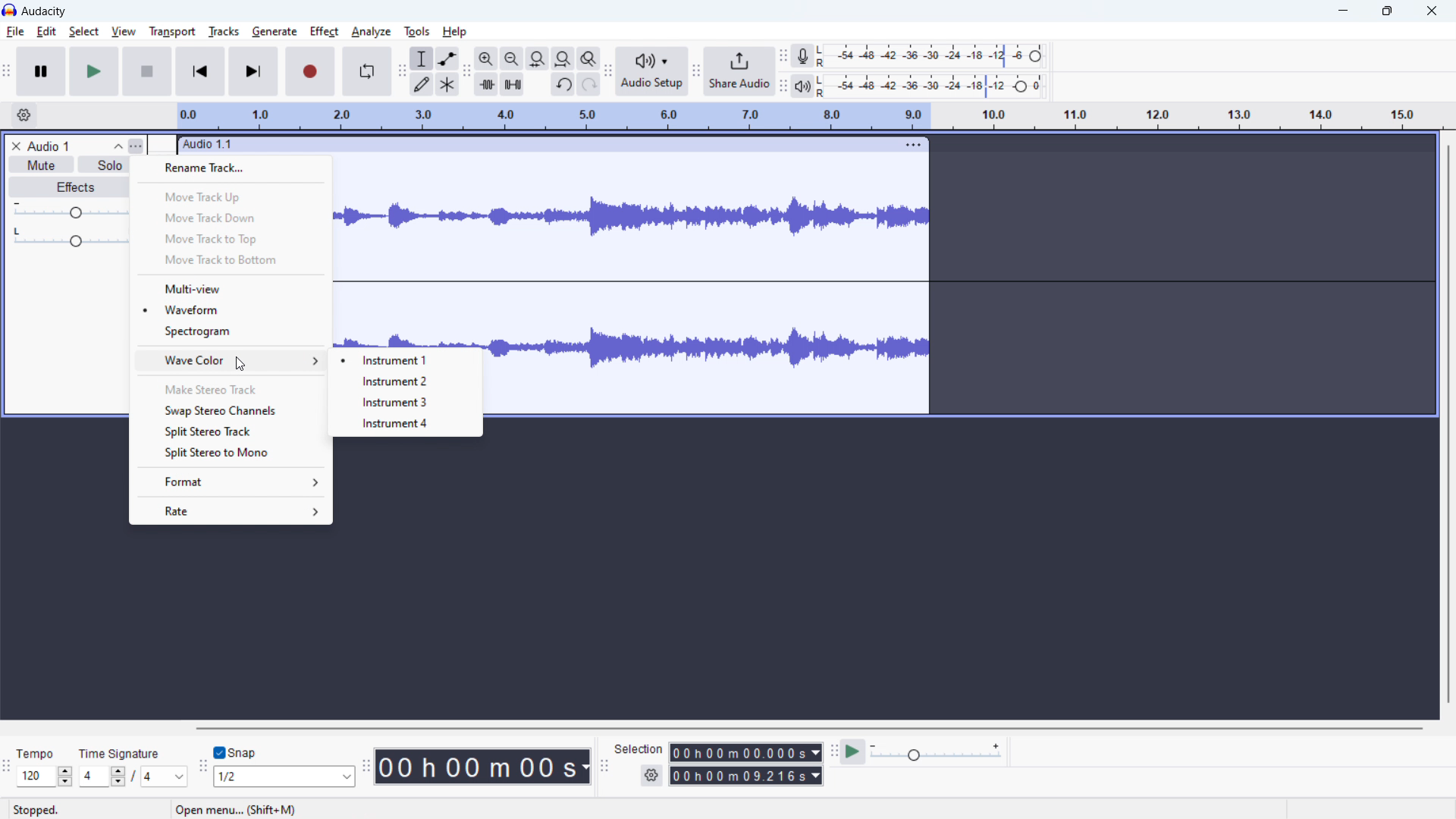 This screenshot has height=819, width=1456. Describe the element at coordinates (563, 58) in the screenshot. I see `fit project to width` at that location.